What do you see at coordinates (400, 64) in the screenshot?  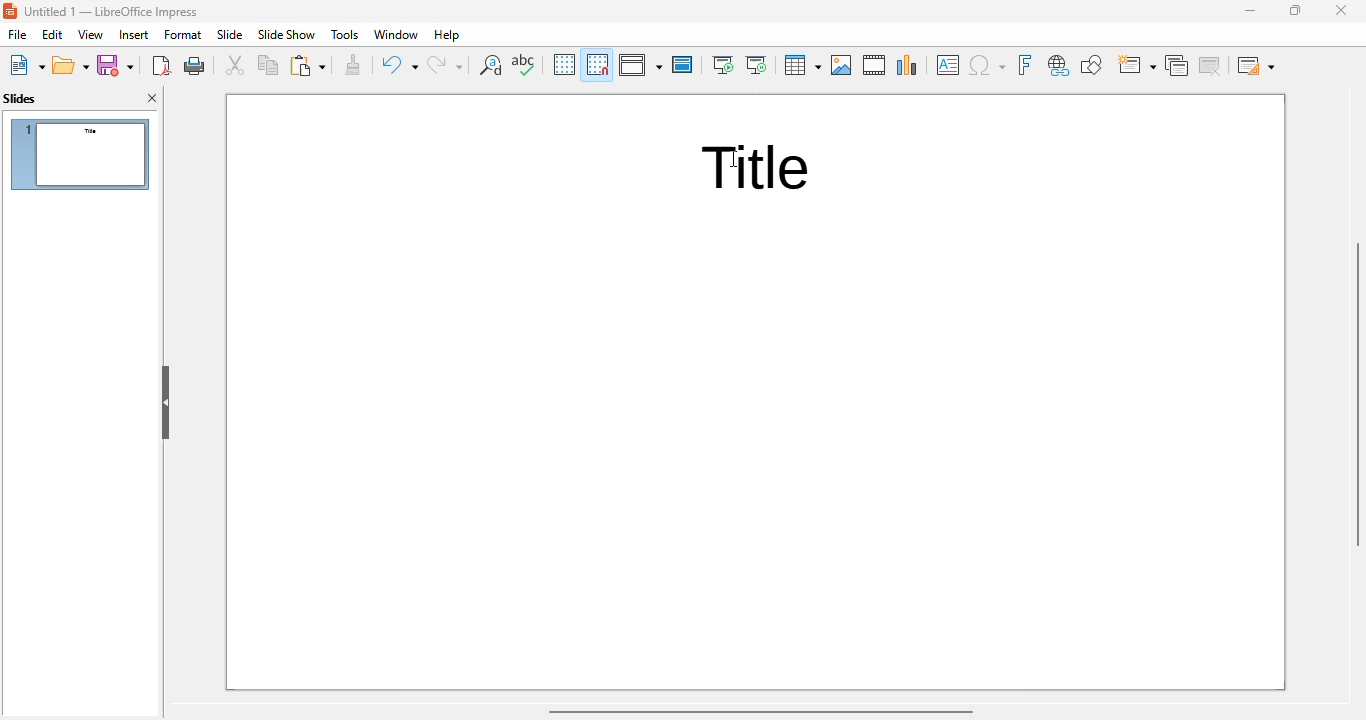 I see `undo` at bounding box center [400, 64].